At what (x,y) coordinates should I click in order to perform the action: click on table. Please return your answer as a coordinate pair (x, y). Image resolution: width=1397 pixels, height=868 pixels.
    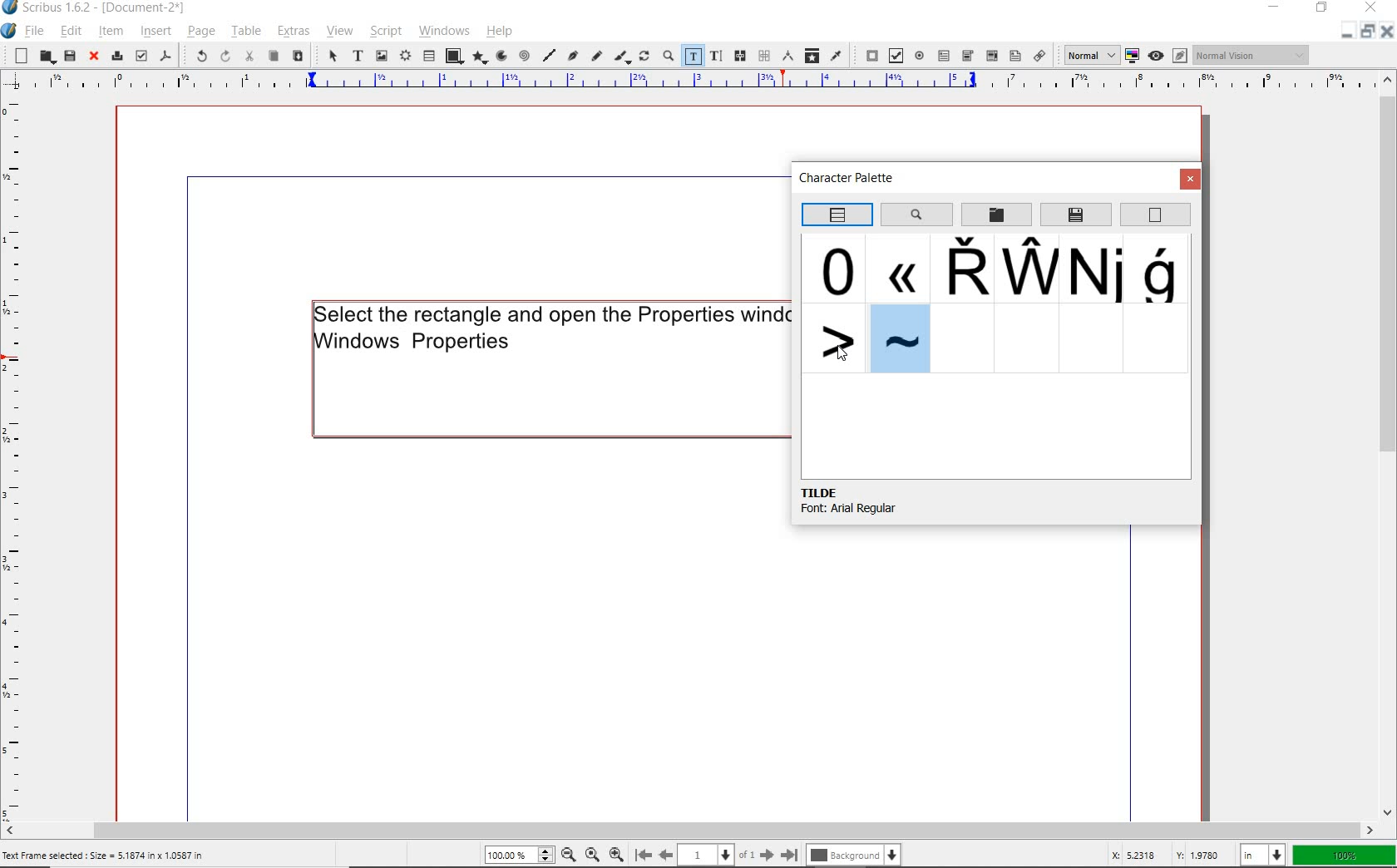
    Looking at the image, I should click on (428, 57).